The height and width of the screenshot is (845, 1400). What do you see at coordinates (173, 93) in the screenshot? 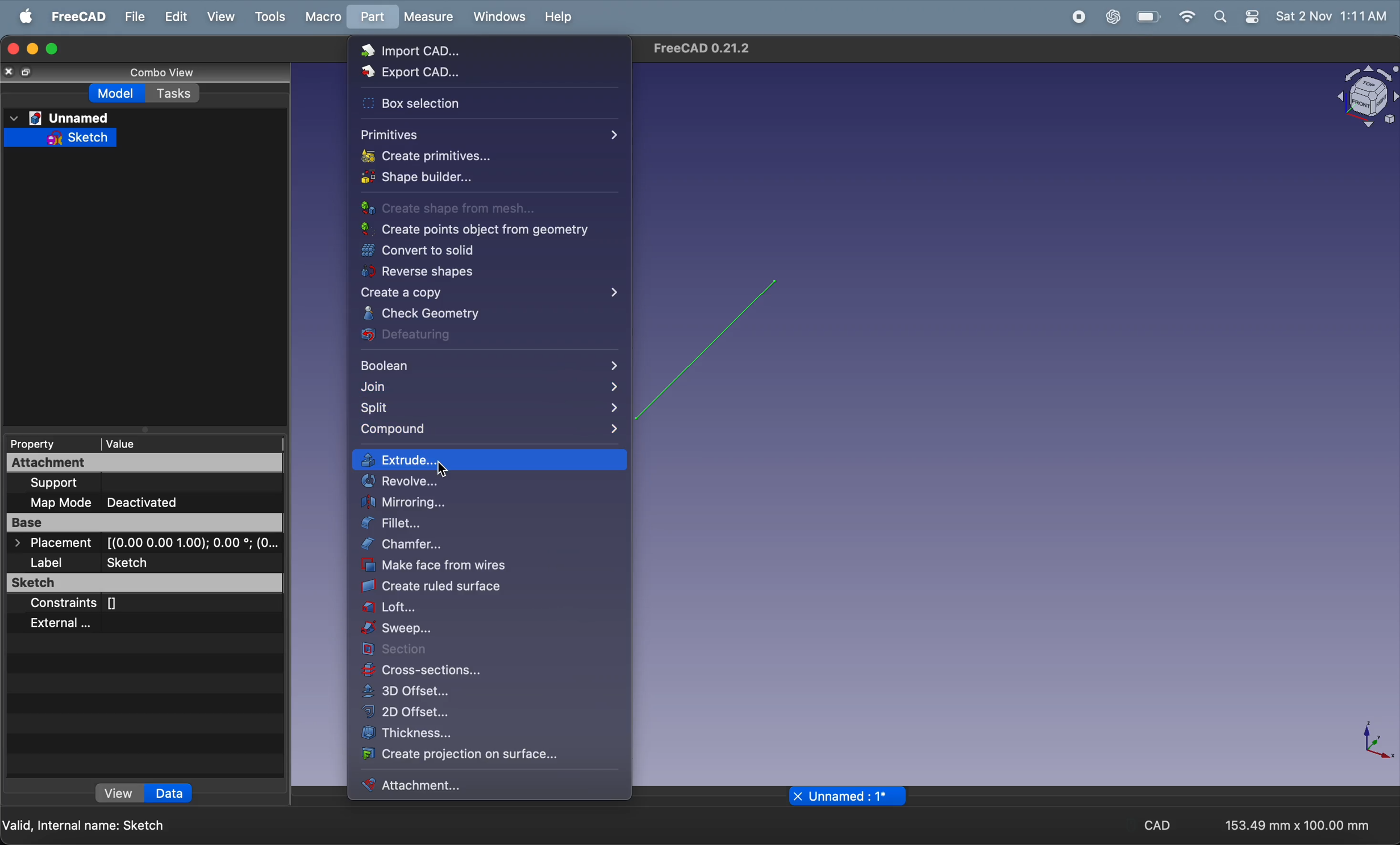
I see `tasks` at bounding box center [173, 93].